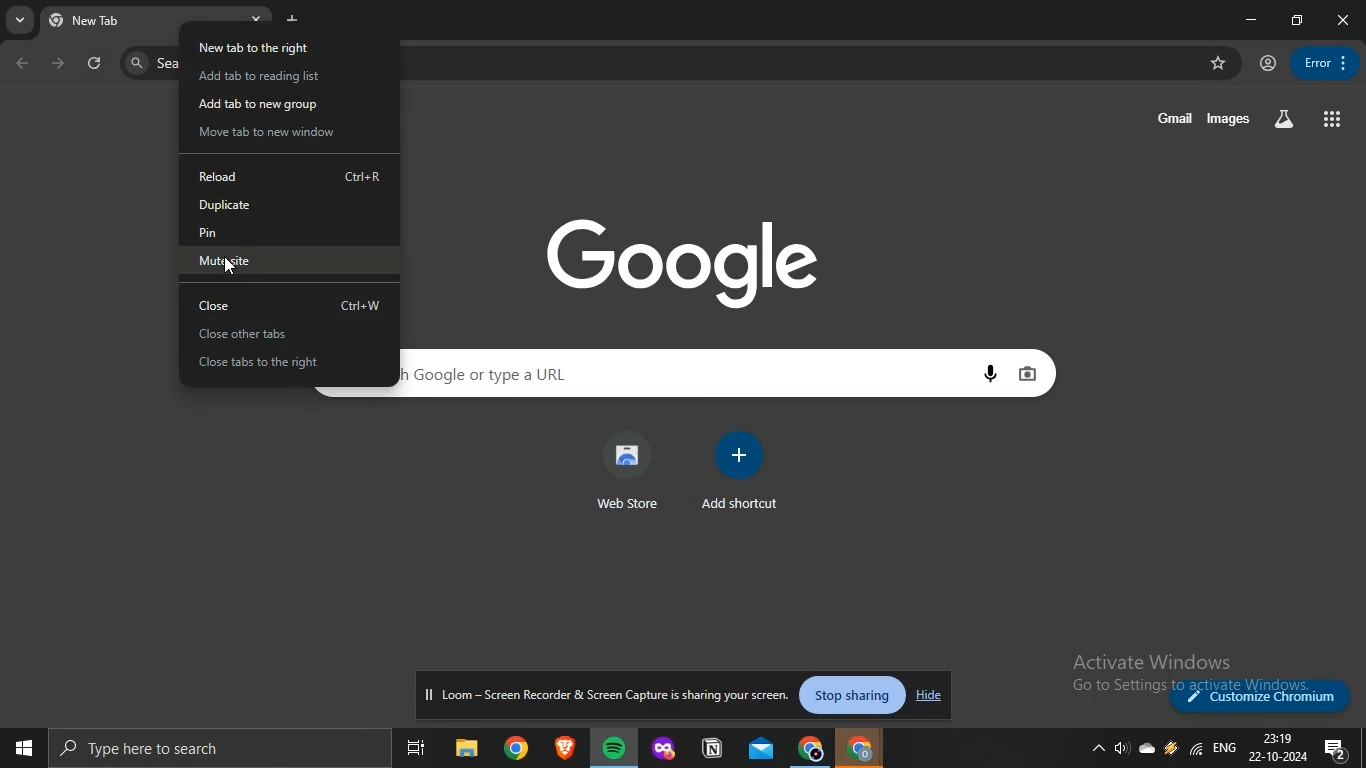  I want to click on restore down, so click(1299, 19).